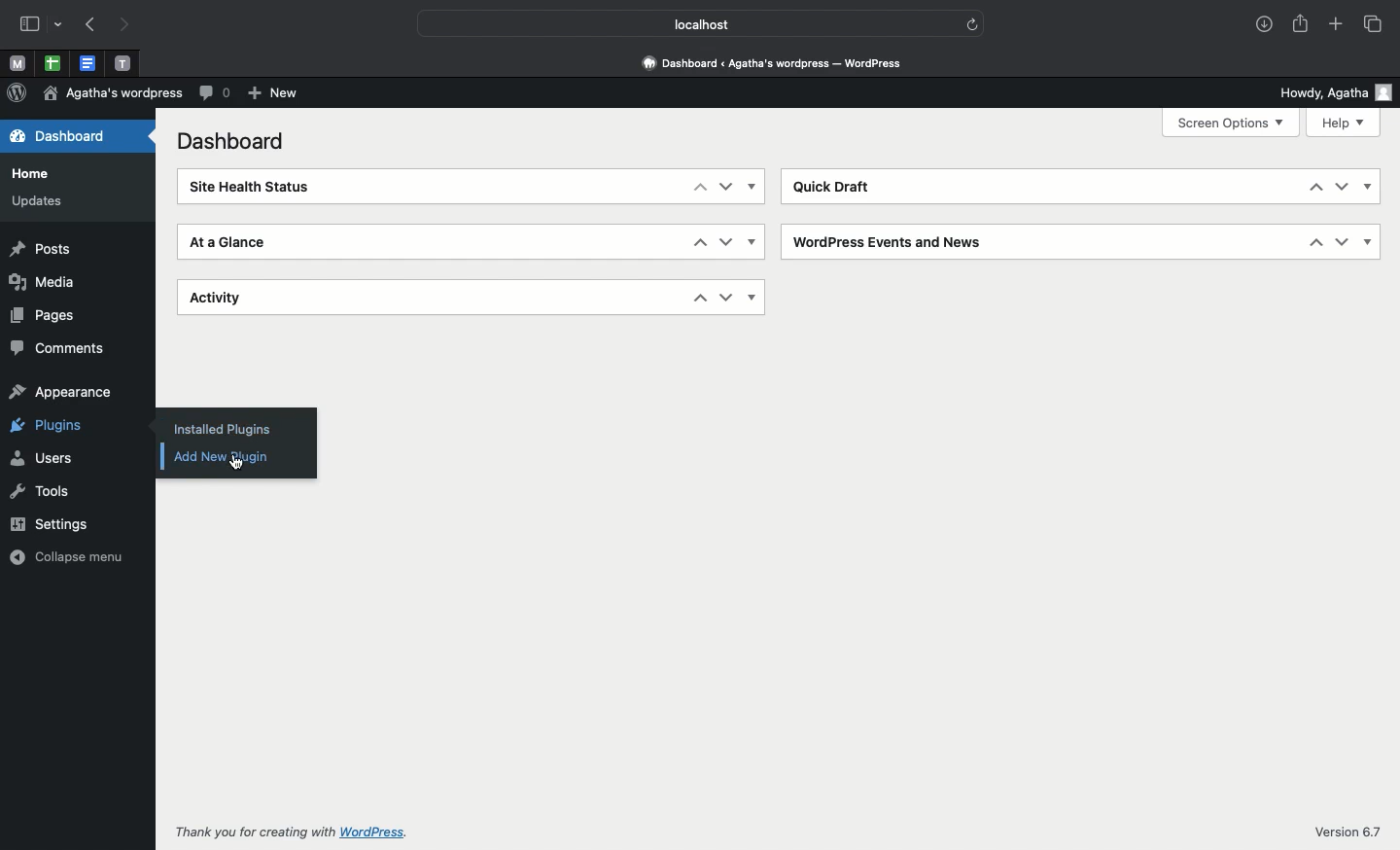 This screenshot has height=850, width=1400. What do you see at coordinates (695, 241) in the screenshot?
I see `Up` at bounding box center [695, 241].